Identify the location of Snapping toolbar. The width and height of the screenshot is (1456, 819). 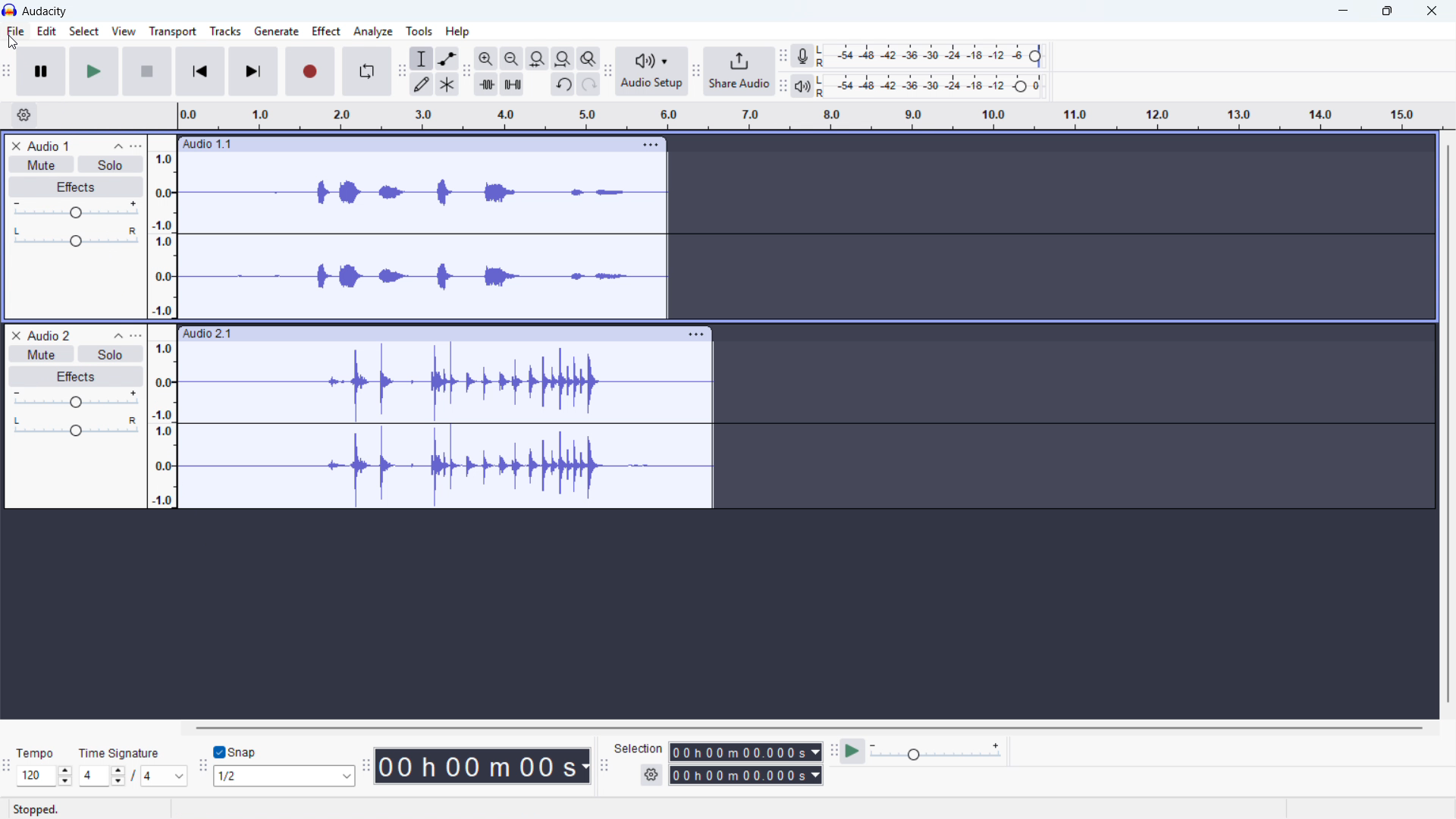
(203, 769).